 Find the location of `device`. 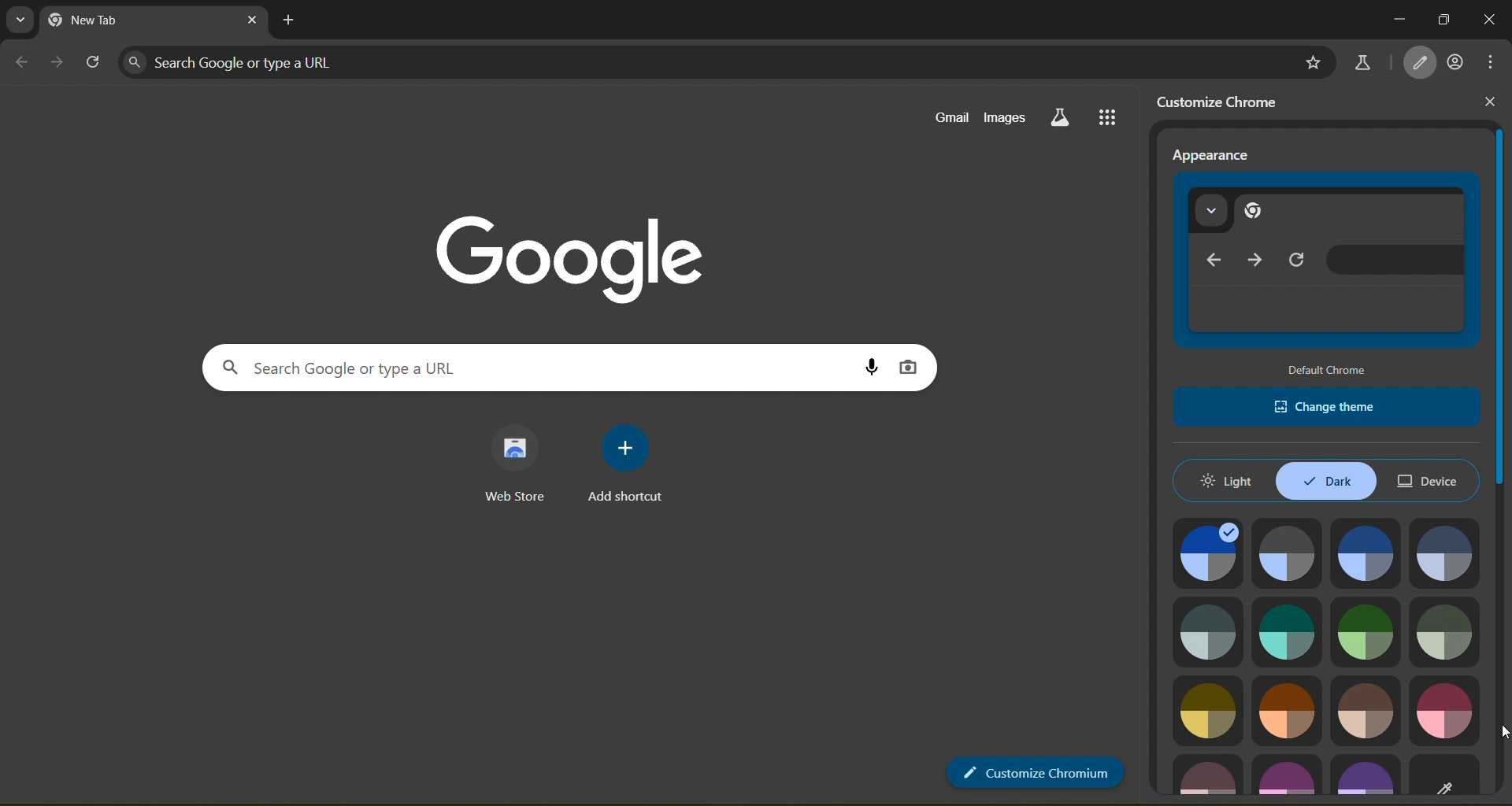

device is located at coordinates (1430, 481).